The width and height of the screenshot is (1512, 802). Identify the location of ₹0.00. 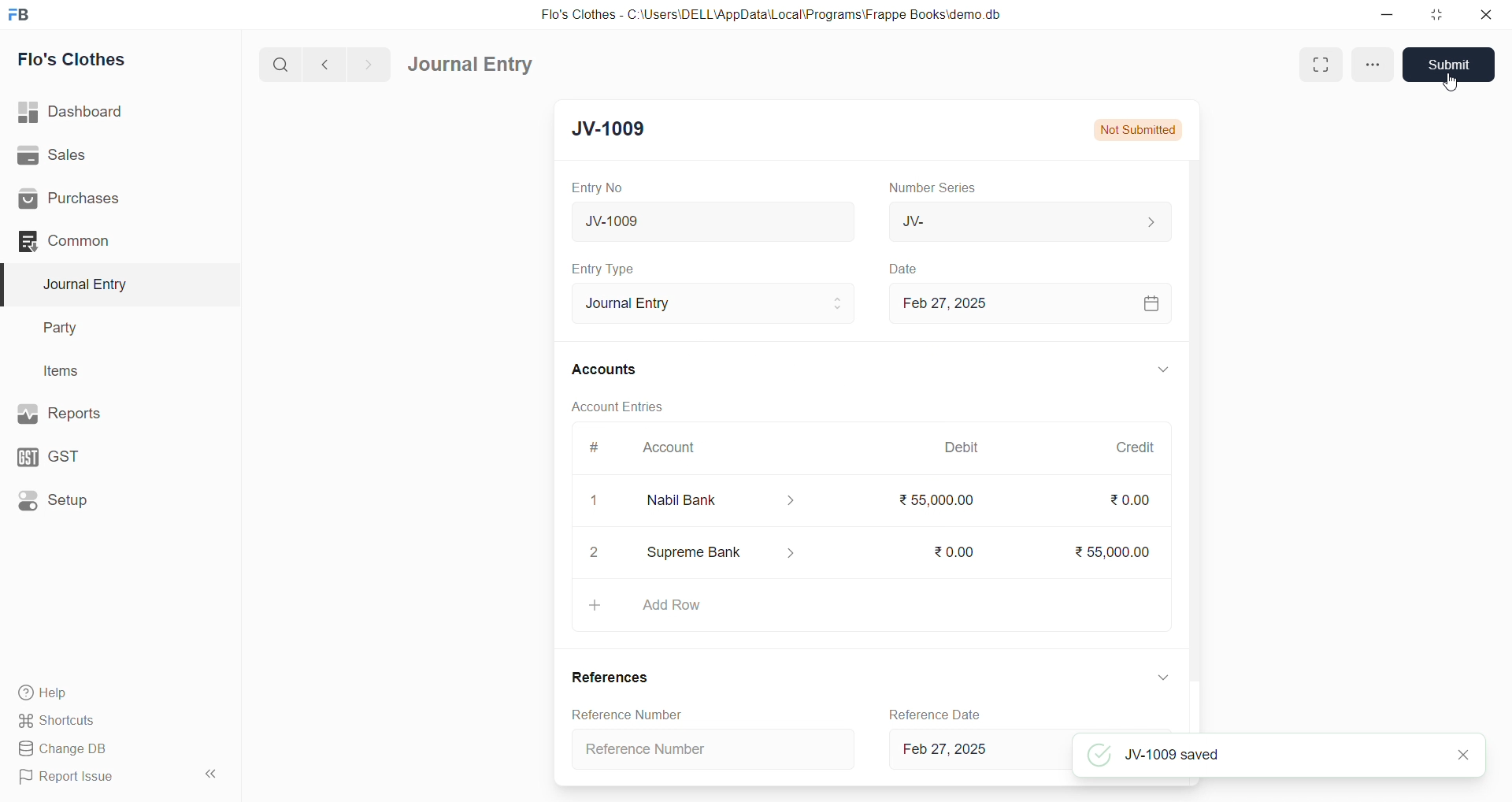
(1132, 500).